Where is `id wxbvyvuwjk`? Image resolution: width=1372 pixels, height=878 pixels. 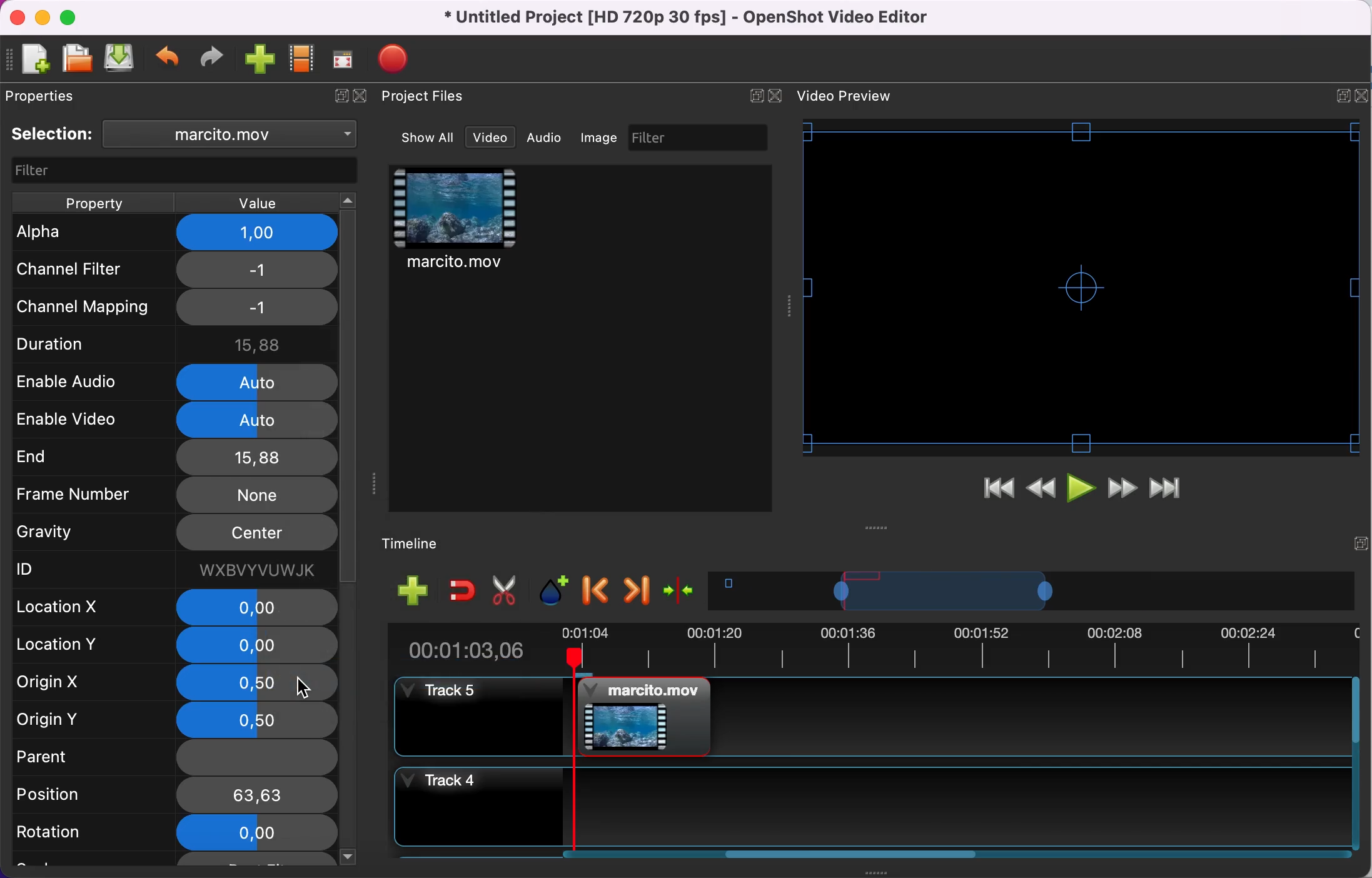 id wxbvyvuwjk is located at coordinates (171, 569).